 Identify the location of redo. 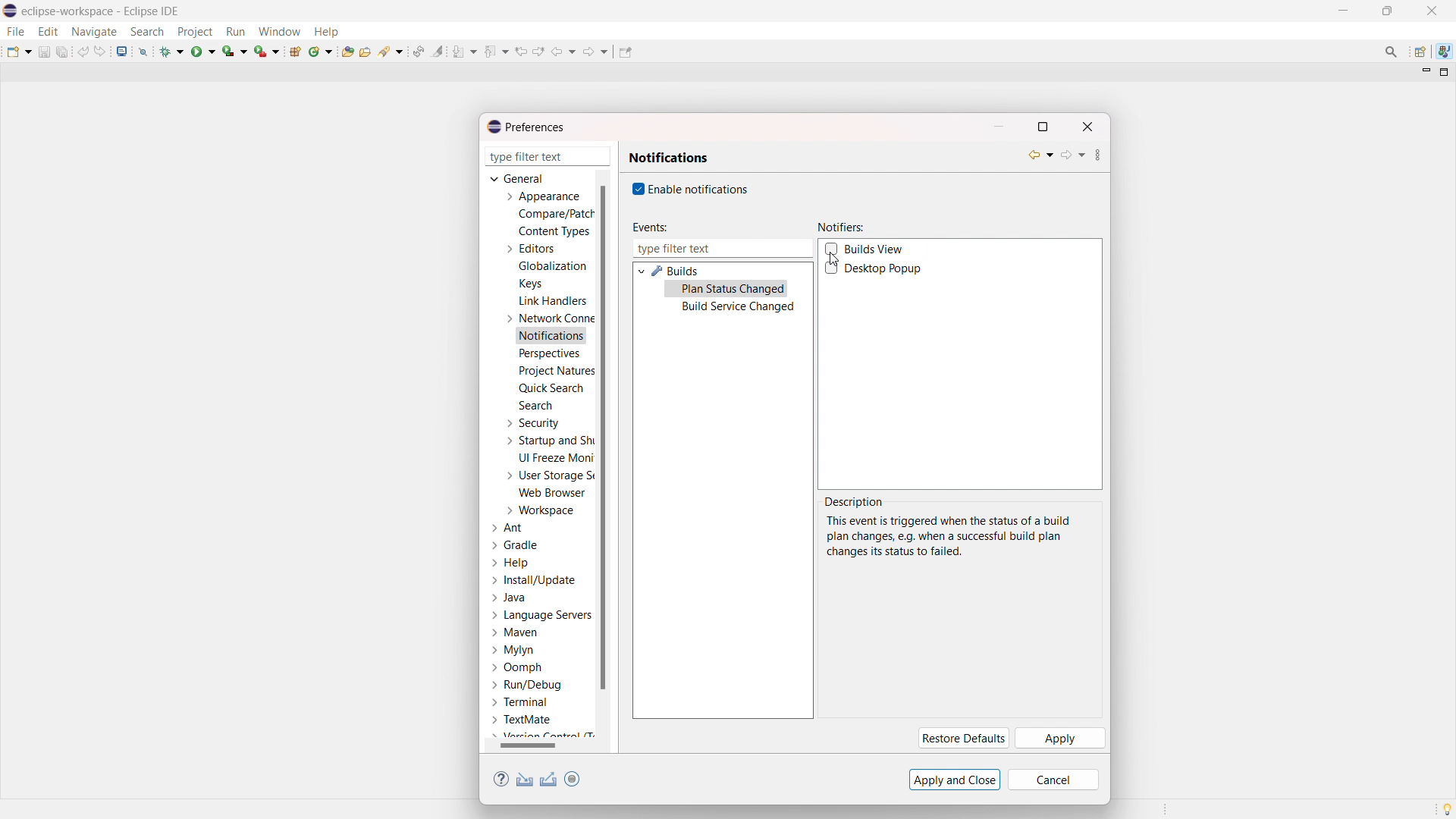
(100, 51).